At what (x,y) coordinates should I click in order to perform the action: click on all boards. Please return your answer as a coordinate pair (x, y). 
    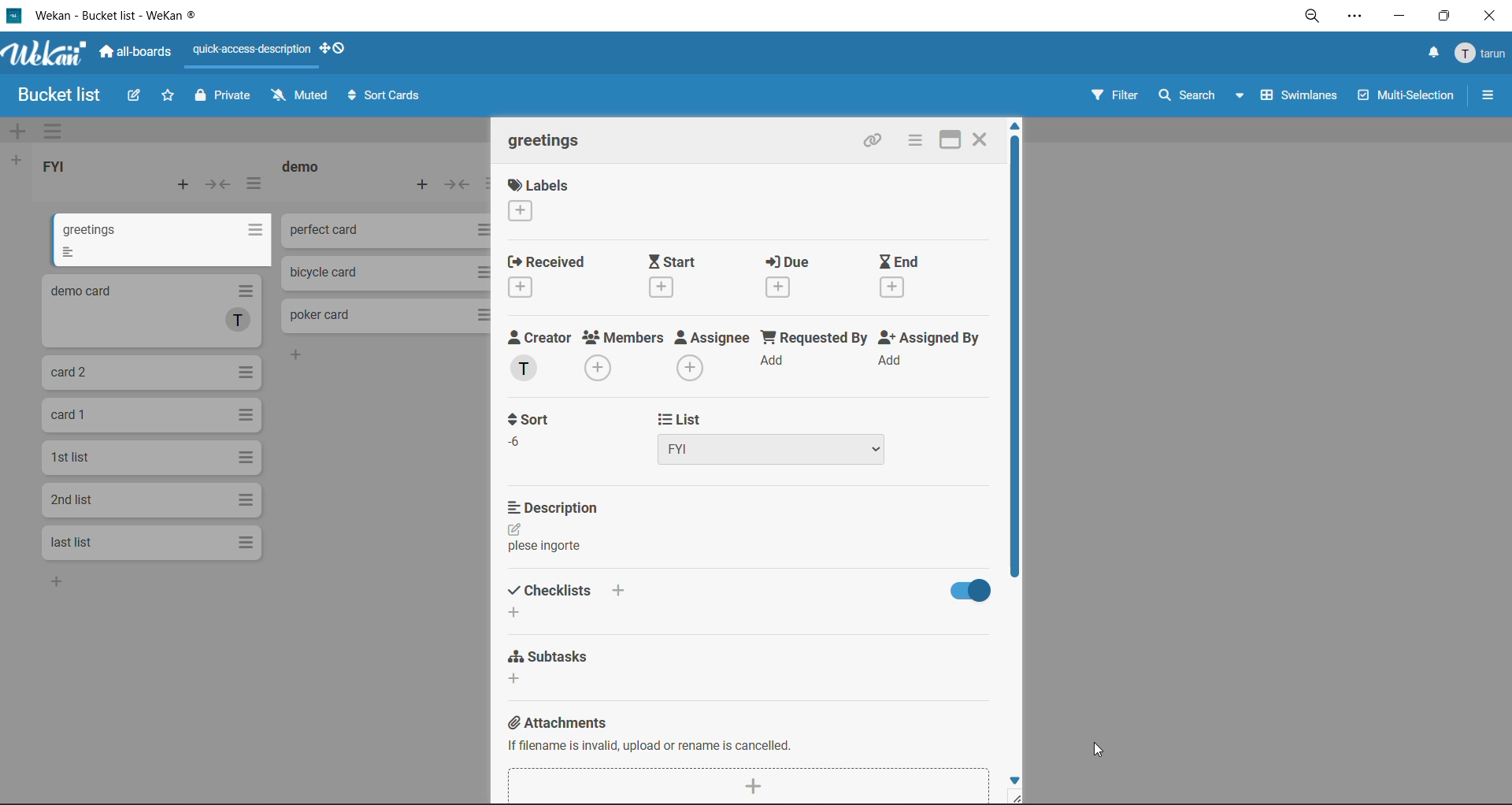
    Looking at the image, I should click on (142, 55).